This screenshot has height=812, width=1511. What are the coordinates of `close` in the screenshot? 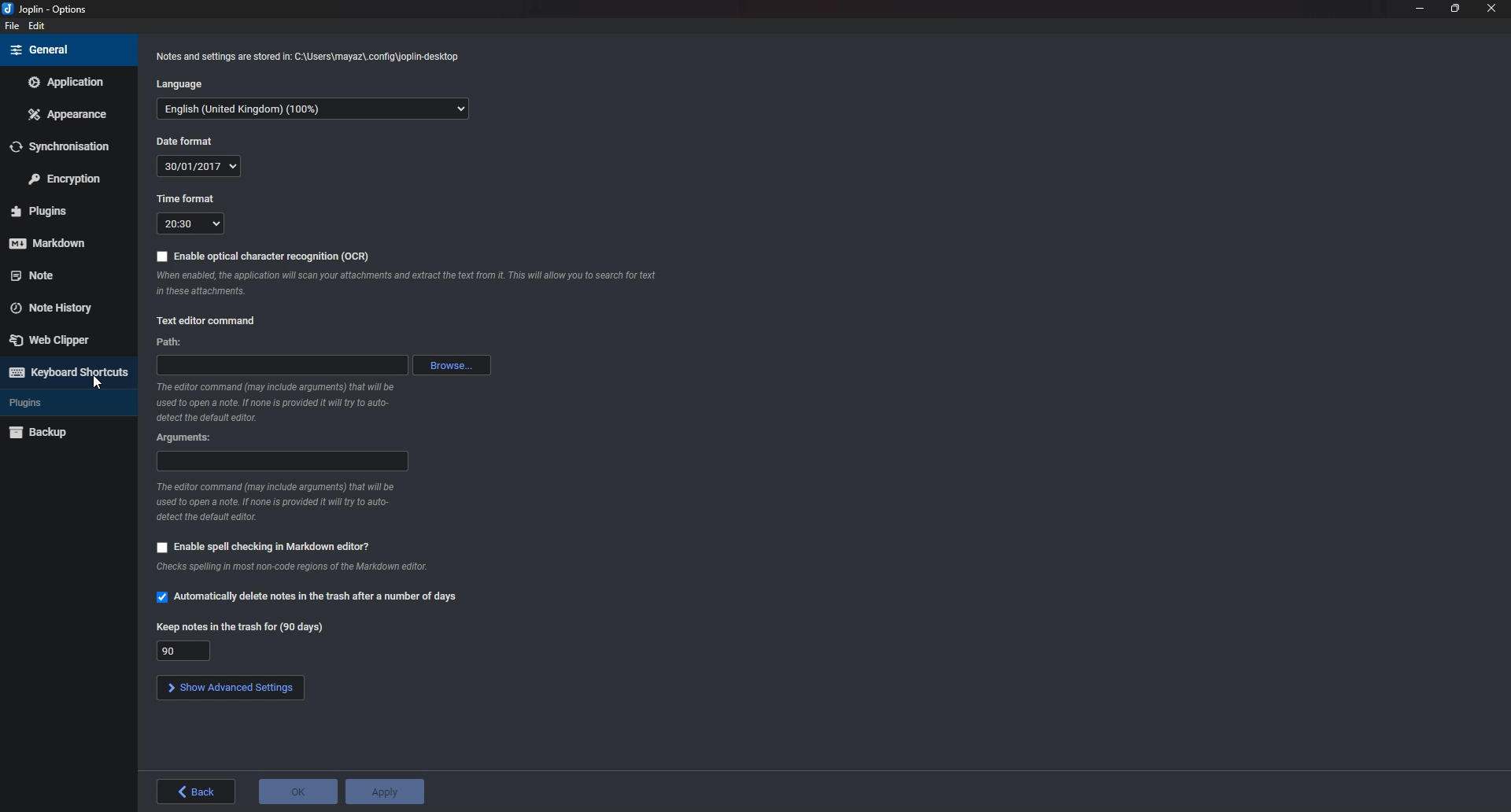 It's located at (1489, 8).